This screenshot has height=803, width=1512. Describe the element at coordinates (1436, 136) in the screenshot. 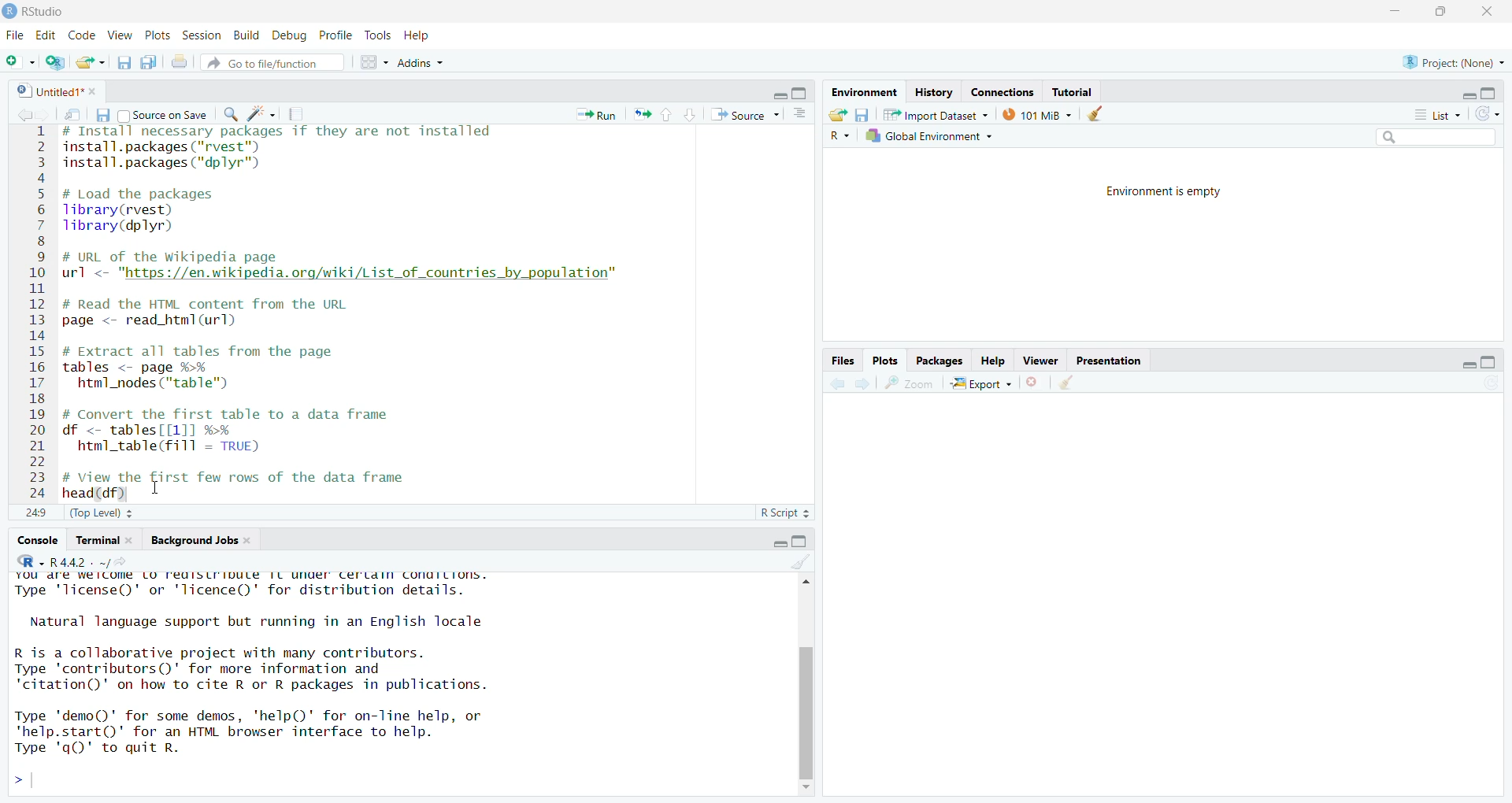

I see `search bar` at that location.